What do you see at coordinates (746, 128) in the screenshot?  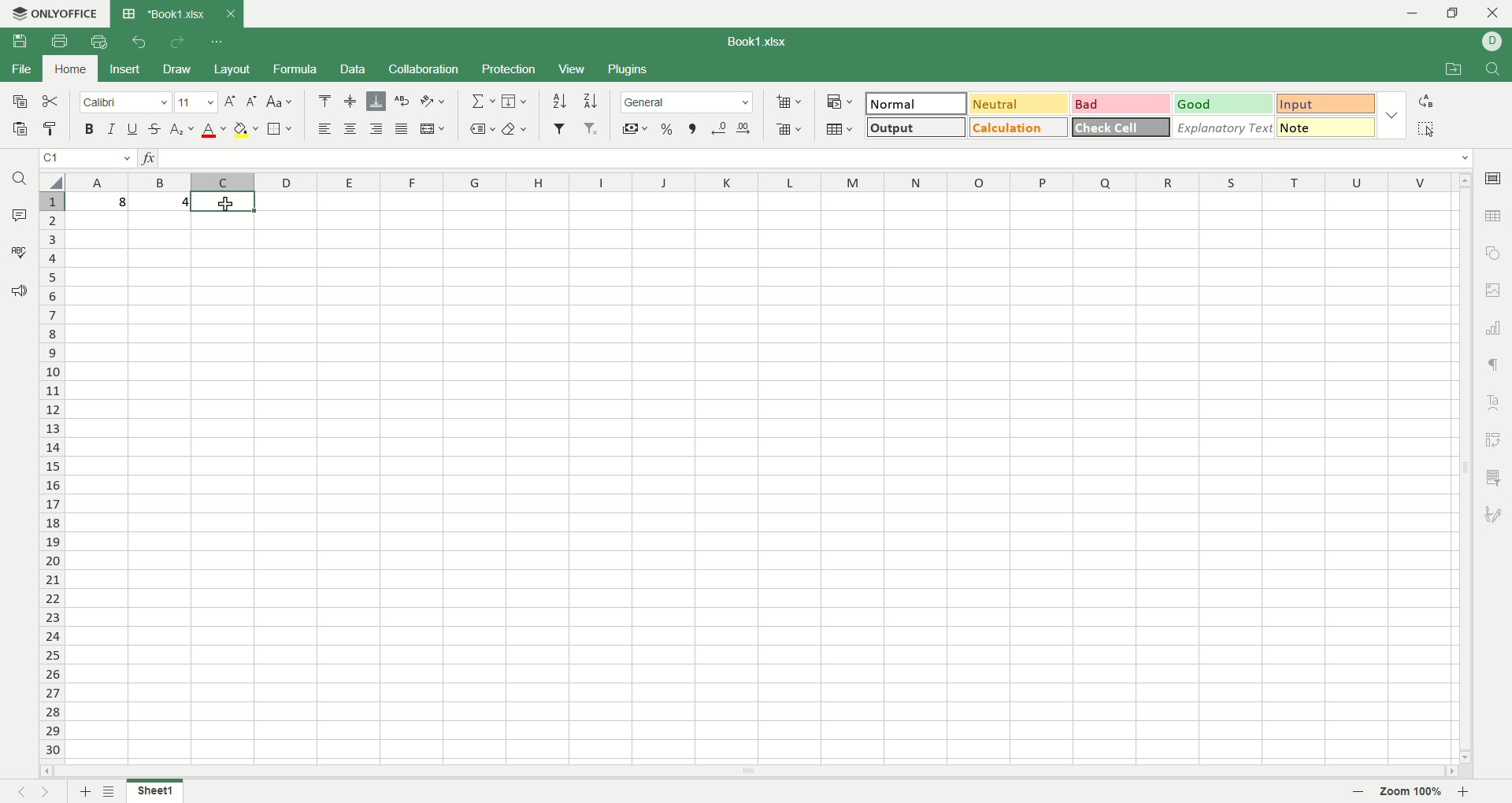 I see `increase decimal` at bounding box center [746, 128].